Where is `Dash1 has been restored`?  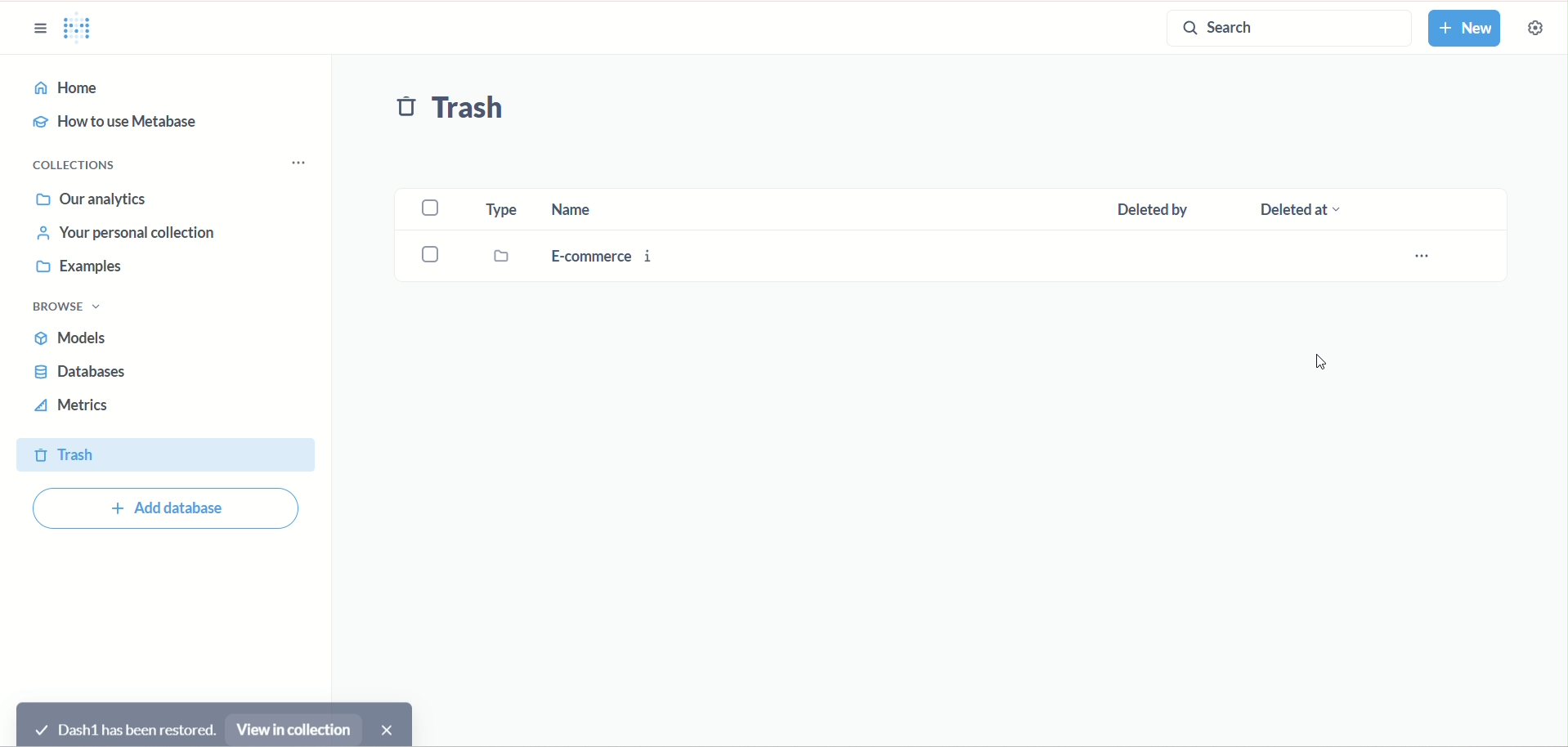
Dash1 has been restored is located at coordinates (125, 727).